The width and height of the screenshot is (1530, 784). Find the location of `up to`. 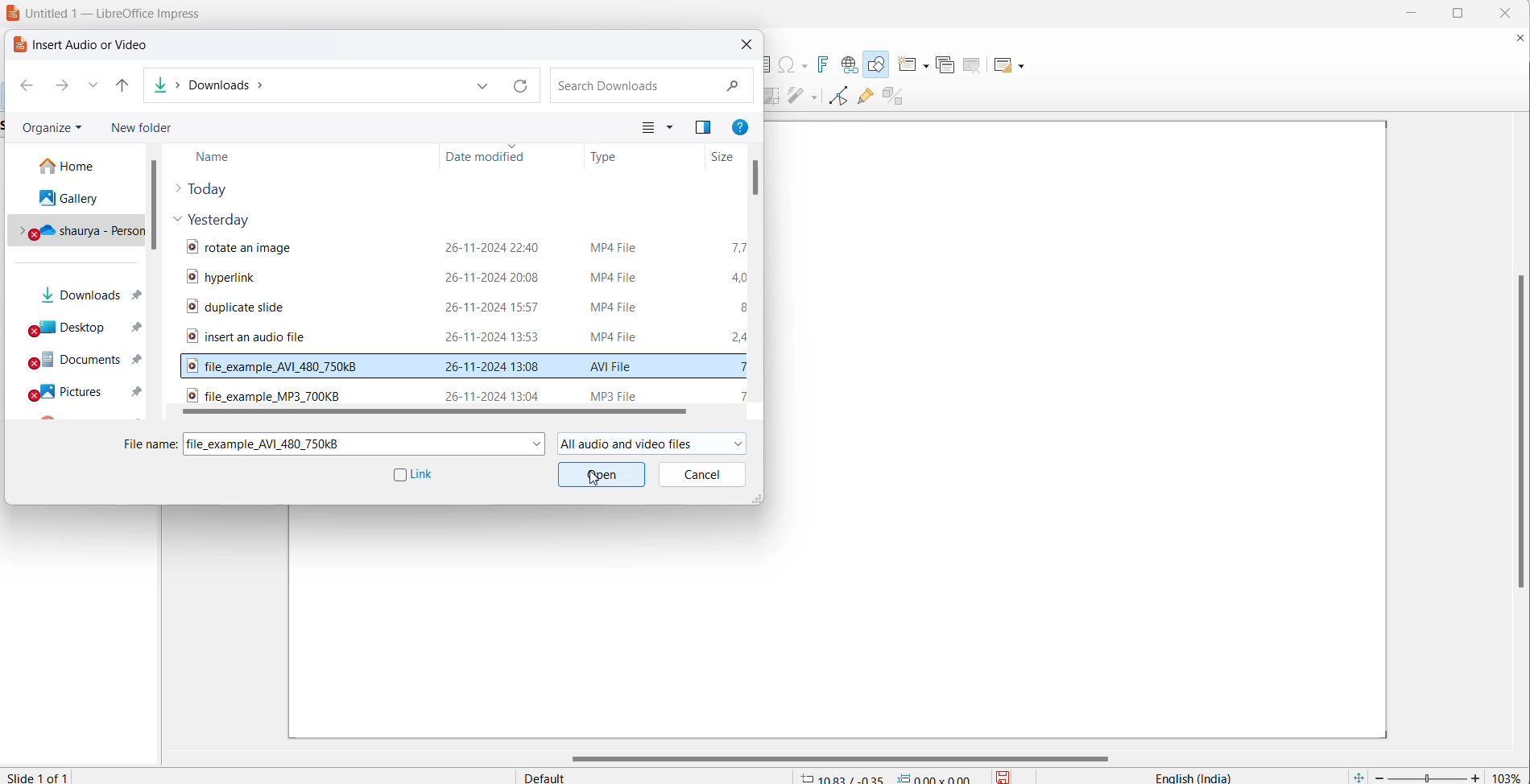

up to is located at coordinates (124, 85).